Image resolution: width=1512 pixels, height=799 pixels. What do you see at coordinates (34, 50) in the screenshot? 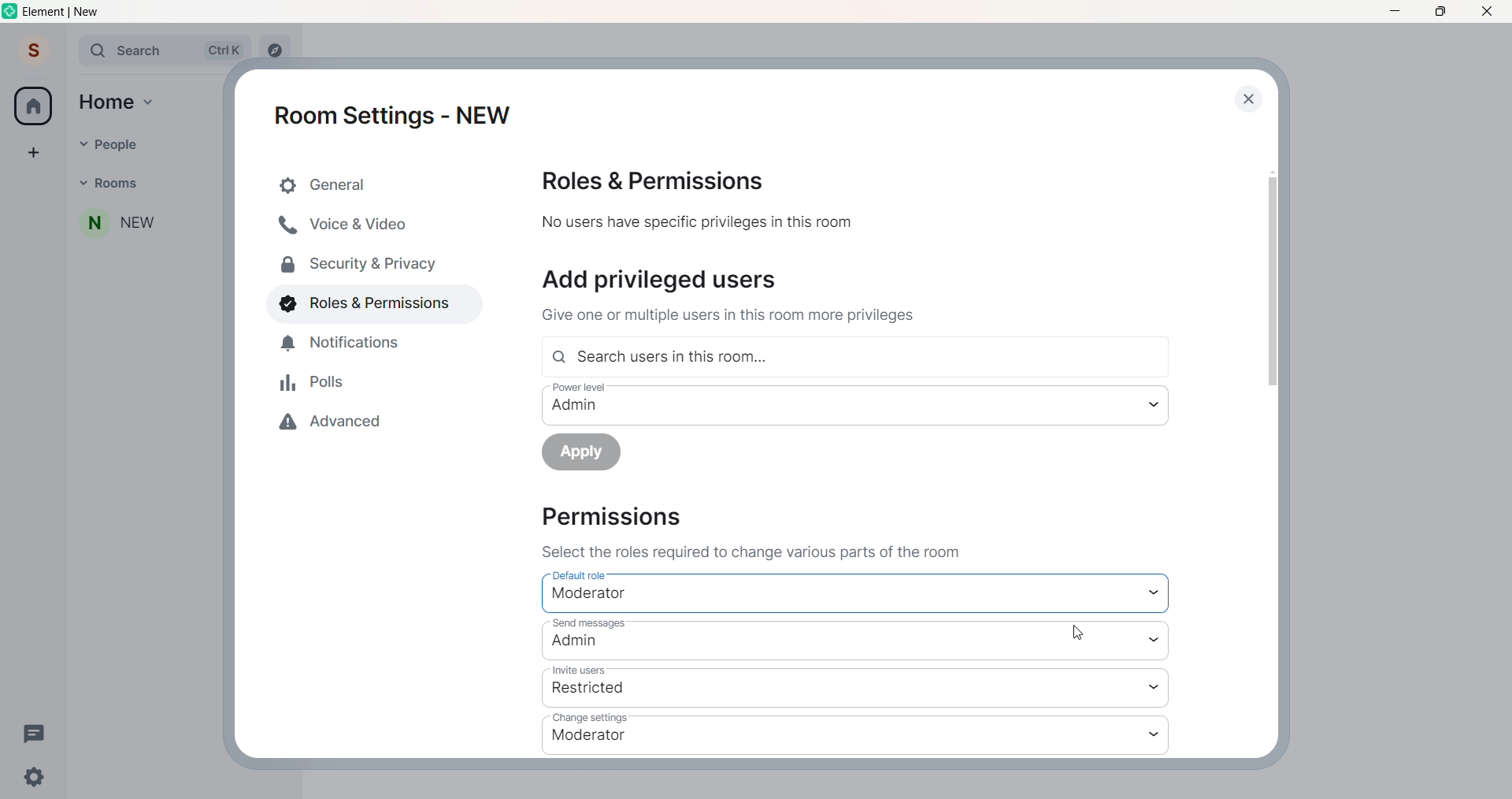
I see `user` at bounding box center [34, 50].